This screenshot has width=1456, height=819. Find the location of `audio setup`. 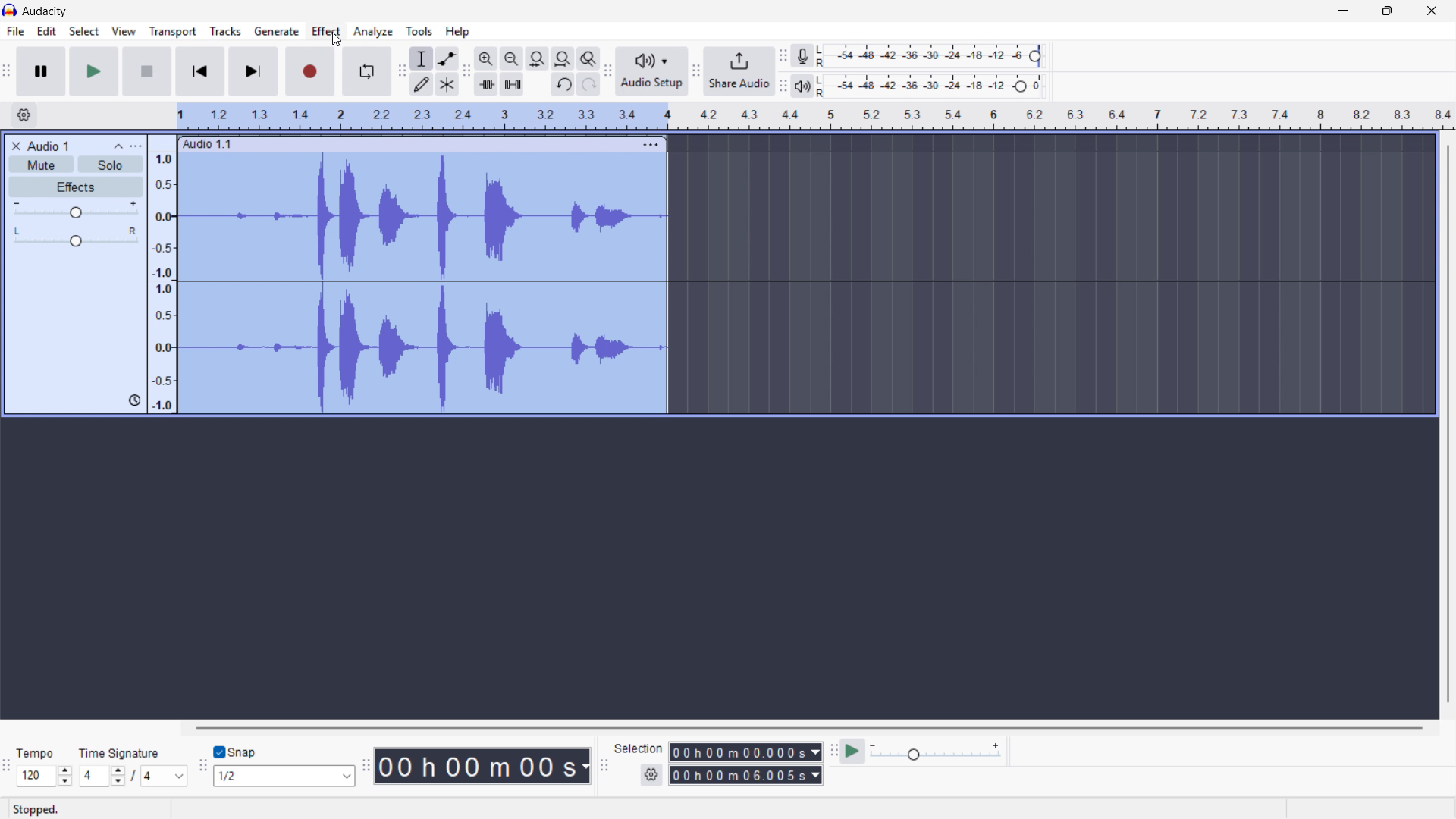

audio setup is located at coordinates (652, 71).